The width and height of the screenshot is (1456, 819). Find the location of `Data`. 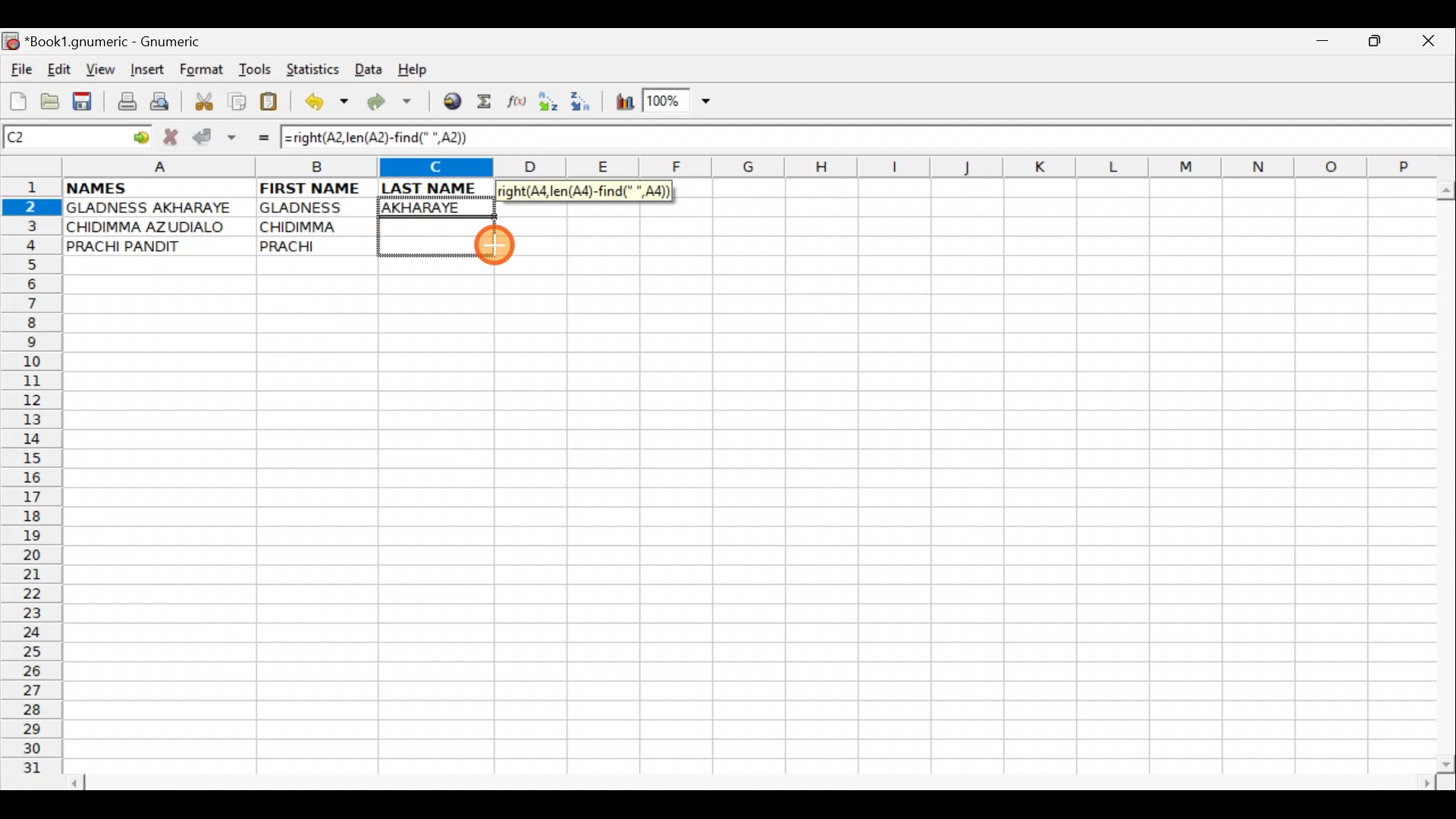

Data is located at coordinates (368, 68).